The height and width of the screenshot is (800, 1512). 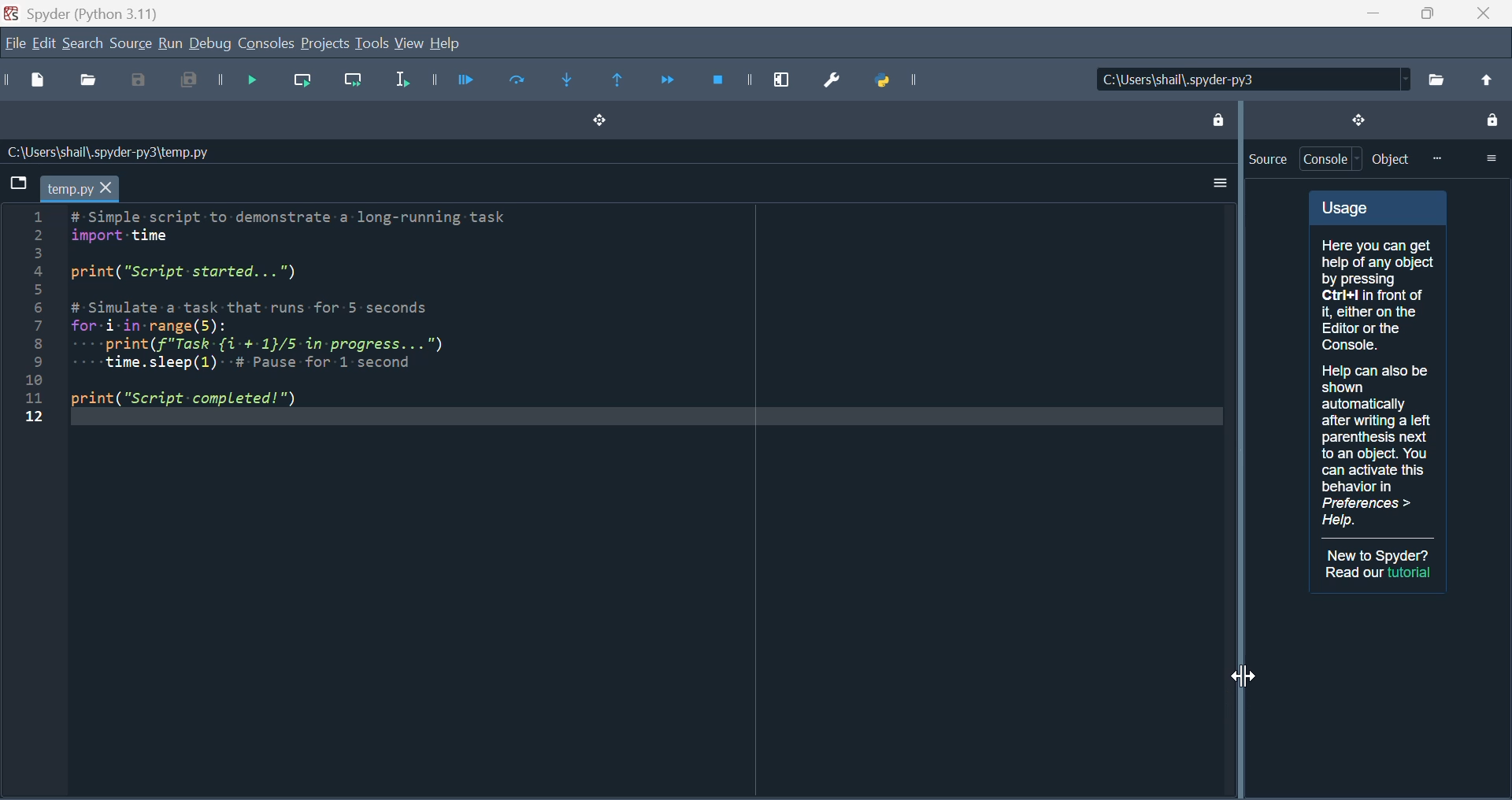 What do you see at coordinates (1380, 555) in the screenshot?
I see `New to Spyder?` at bounding box center [1380, 555].